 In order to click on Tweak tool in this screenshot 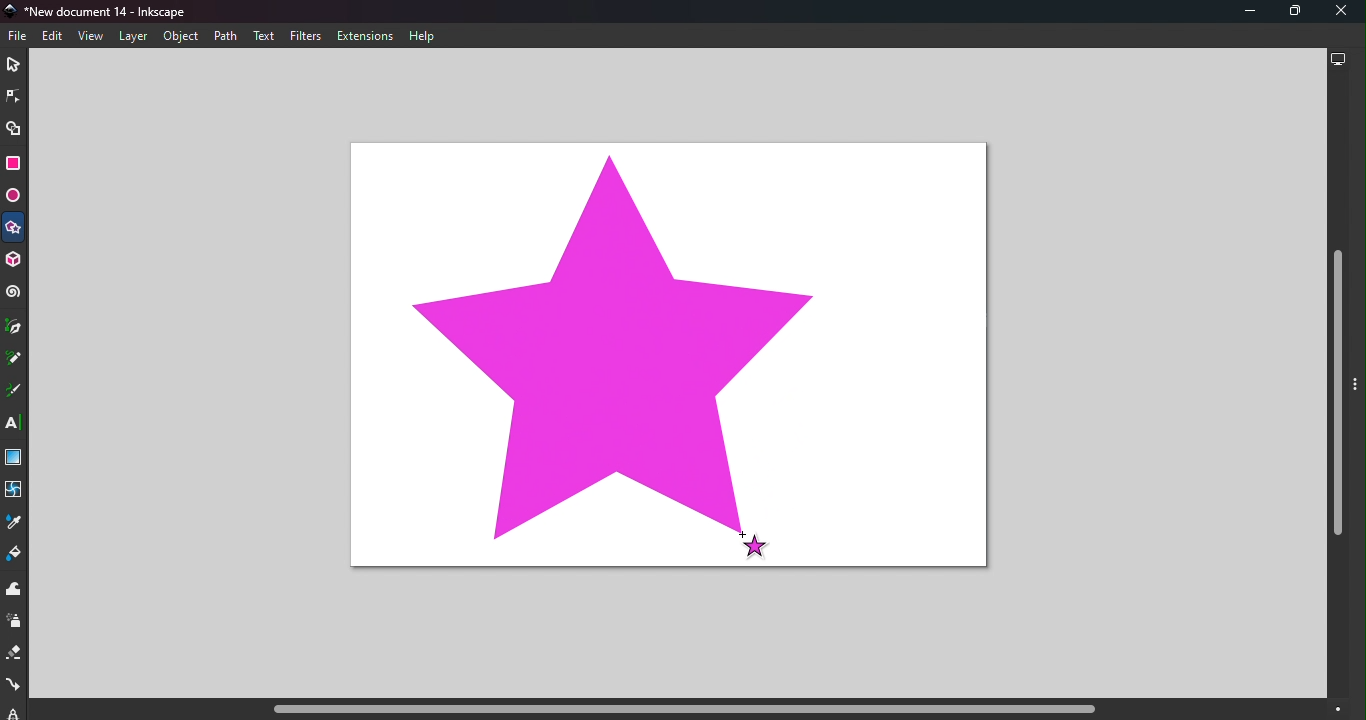, I will do `click(17, 590)`.